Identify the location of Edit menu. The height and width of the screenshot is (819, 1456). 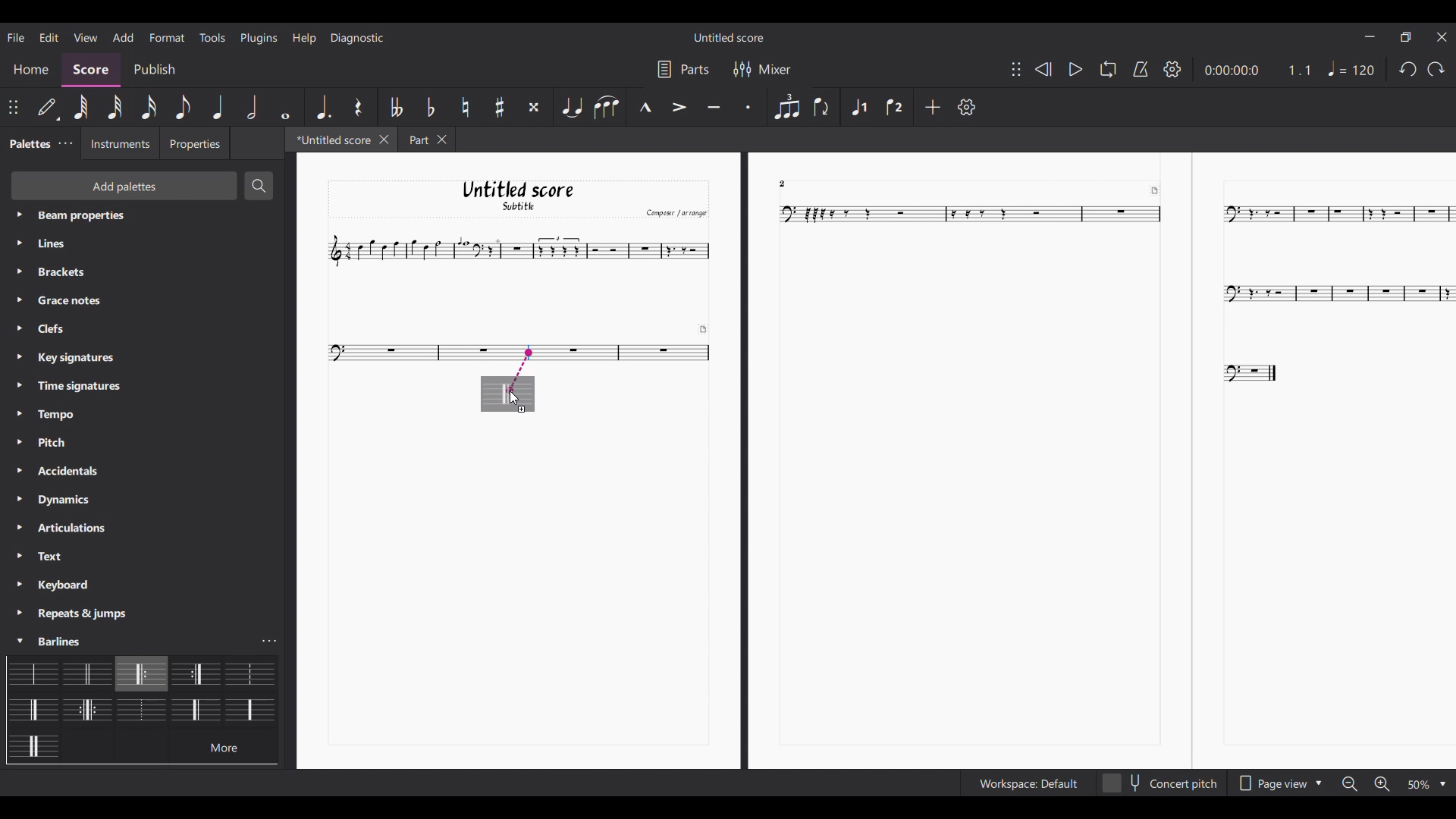
(49, 37).